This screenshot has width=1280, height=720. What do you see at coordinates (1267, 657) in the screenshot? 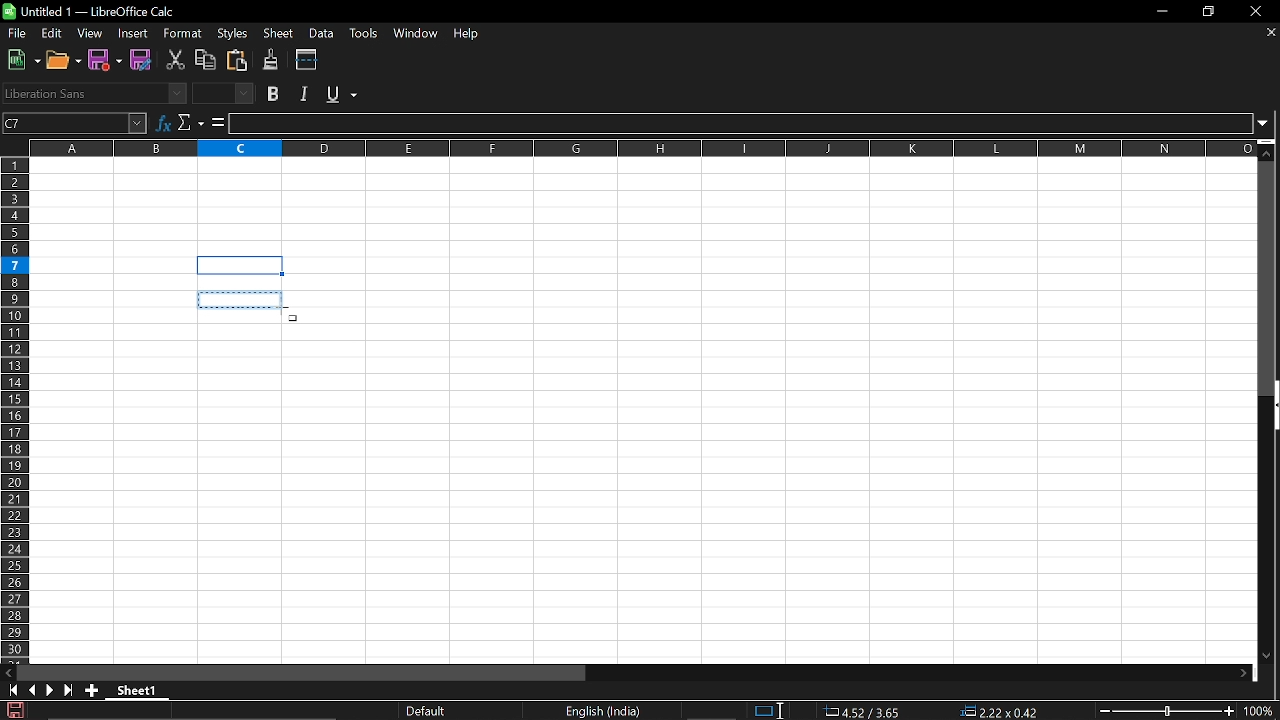
I see `Move down` at bounding box center [1267, 657].